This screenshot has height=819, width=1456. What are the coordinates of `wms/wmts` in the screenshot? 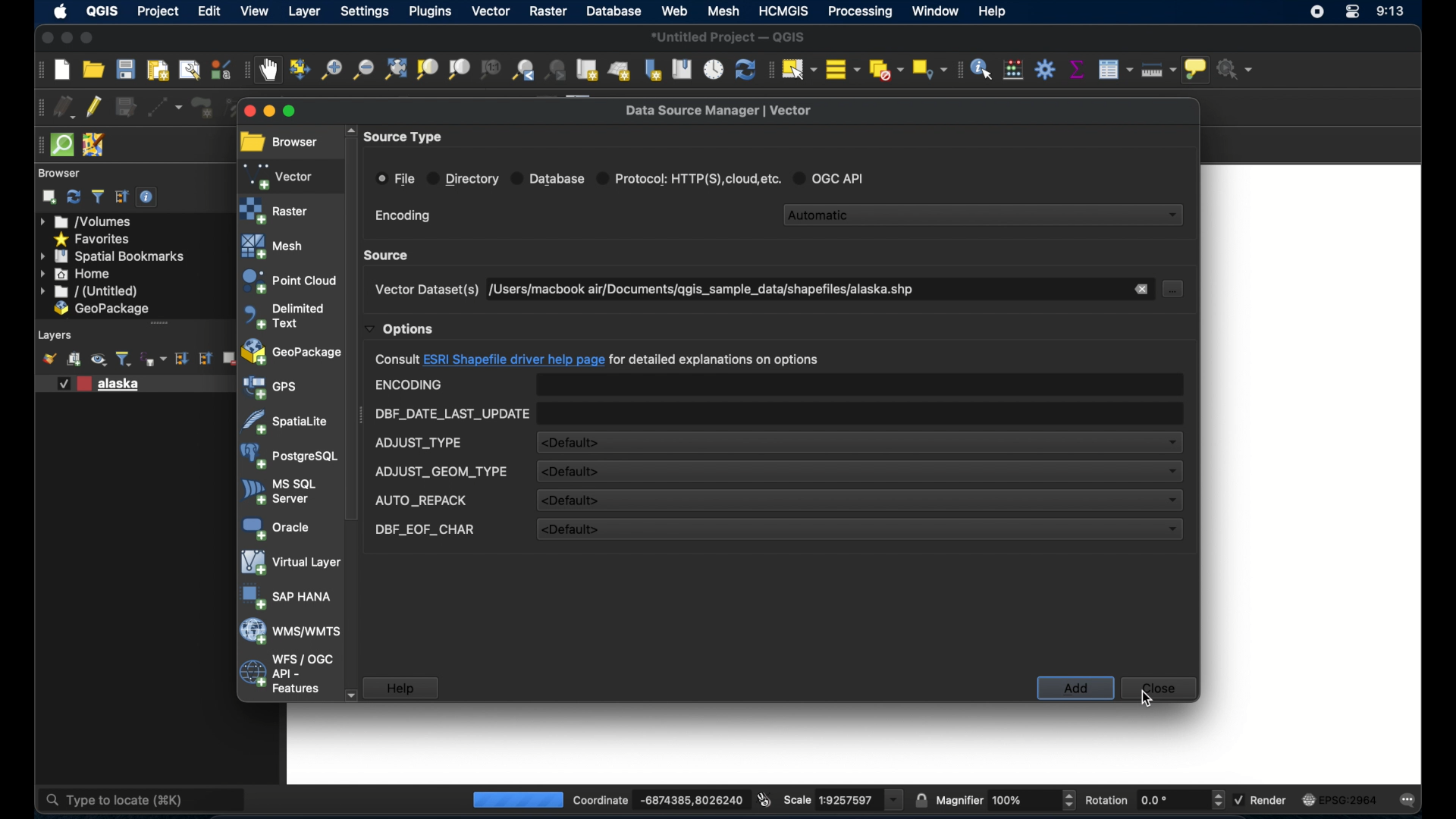 It's located at (289, 632).